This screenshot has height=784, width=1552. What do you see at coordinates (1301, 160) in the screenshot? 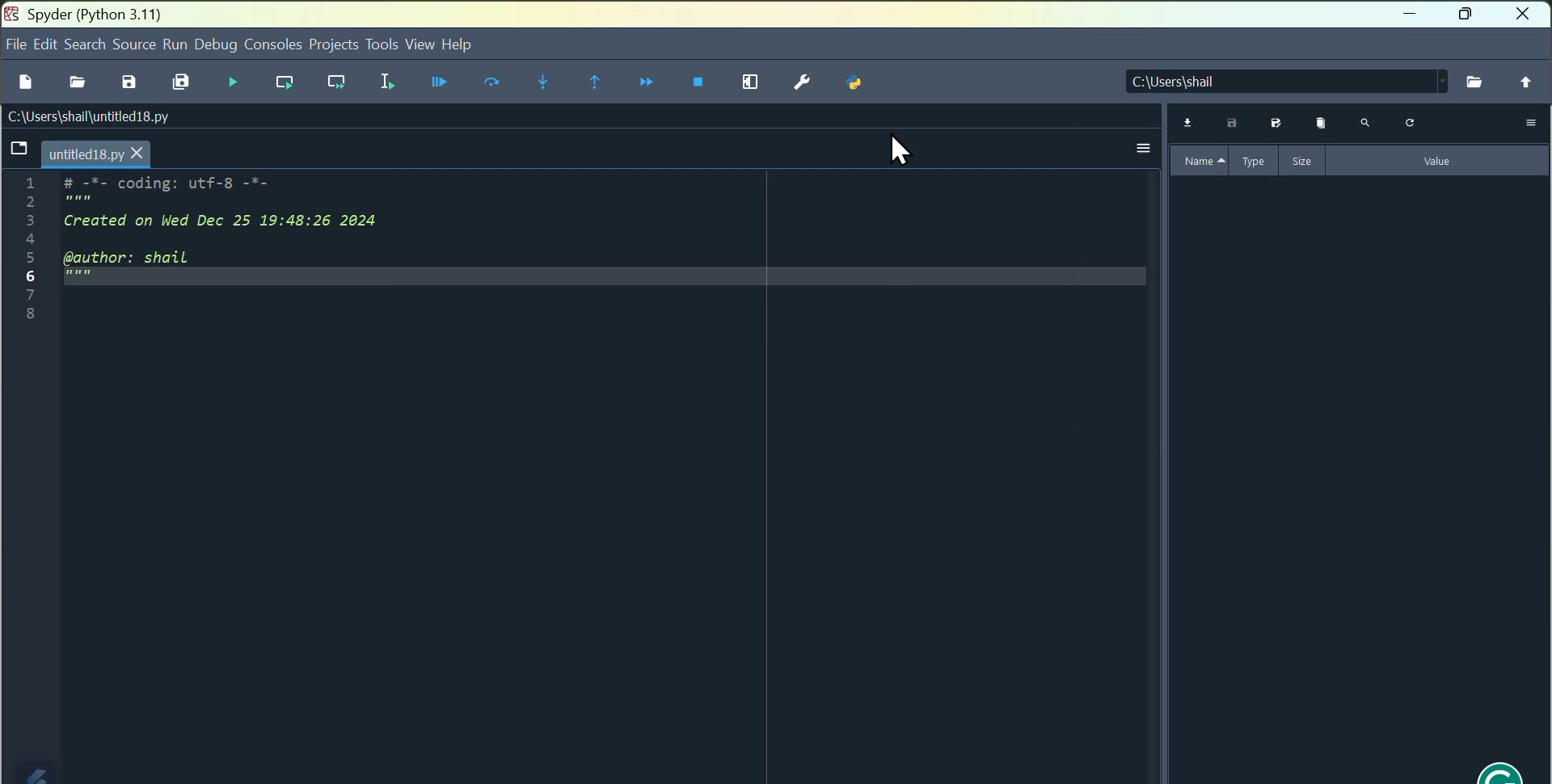
I see `size` at bounding box center [1301, 160].